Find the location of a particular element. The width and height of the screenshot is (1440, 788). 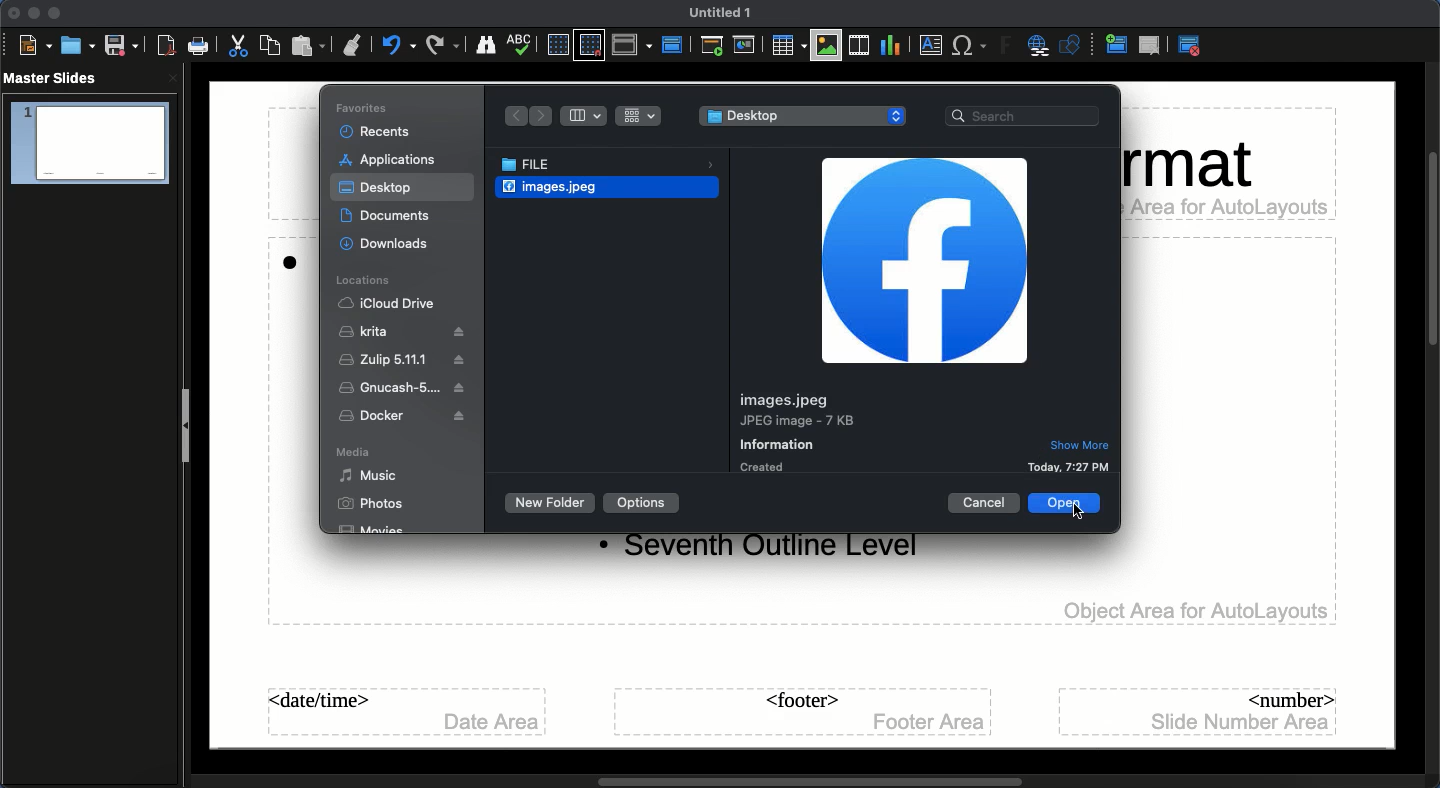

Display views is located at coordinates (632, 45).